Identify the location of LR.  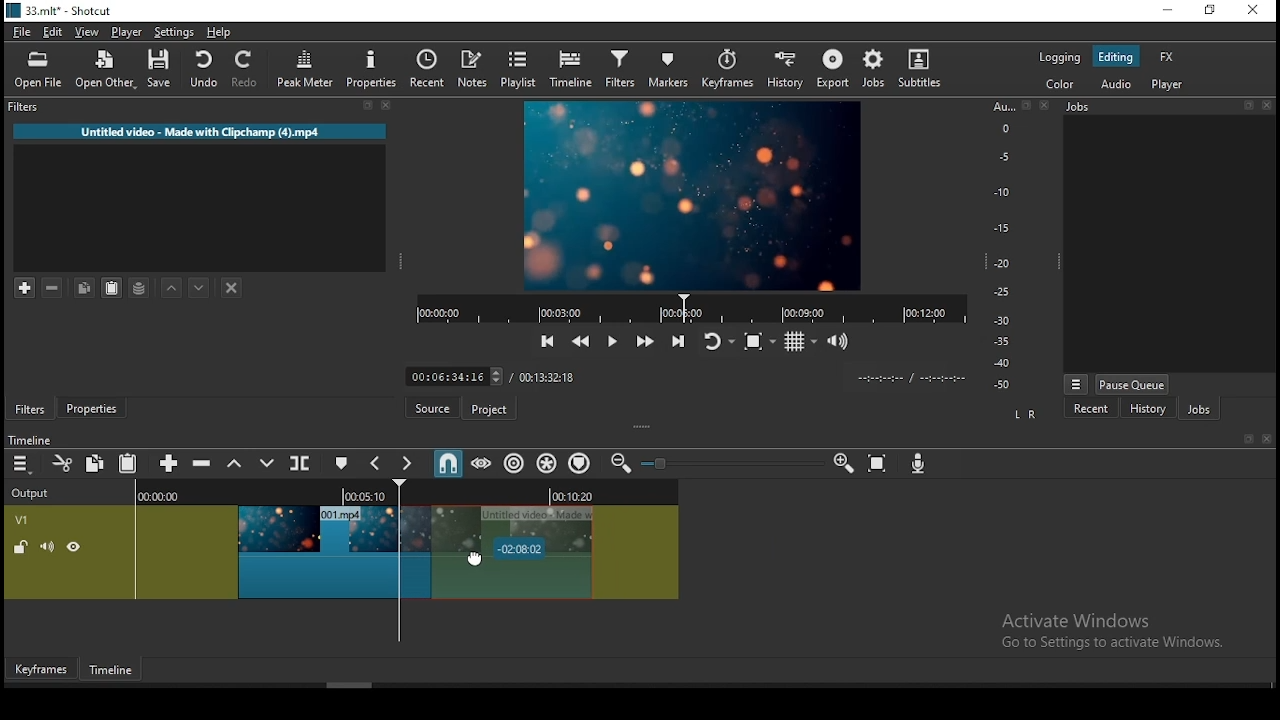
(1024, 416).